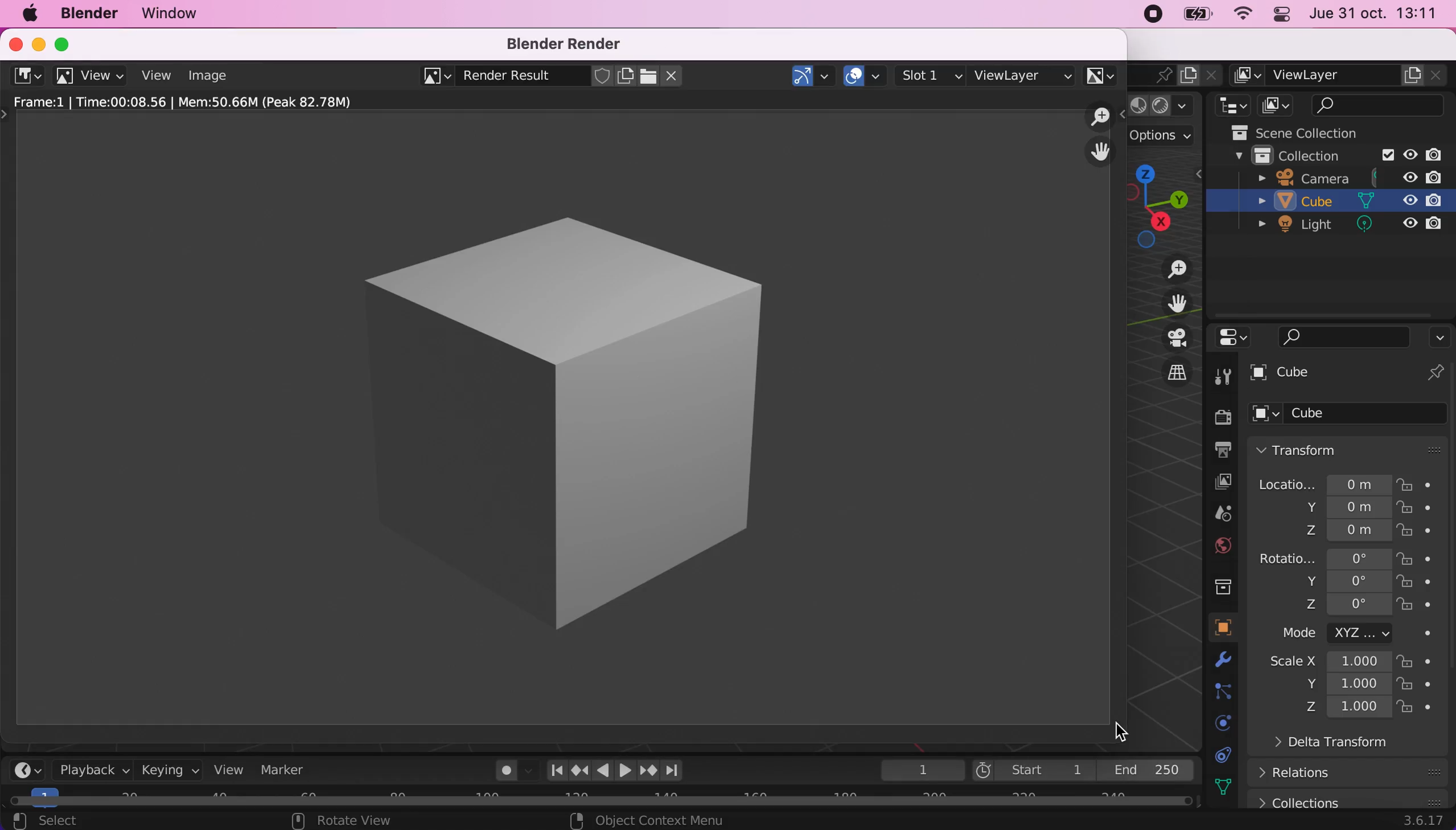  What do you see at coordinates (1417, 511) in the screenshot?
I see `lock` at bounding box center [1417, 511].